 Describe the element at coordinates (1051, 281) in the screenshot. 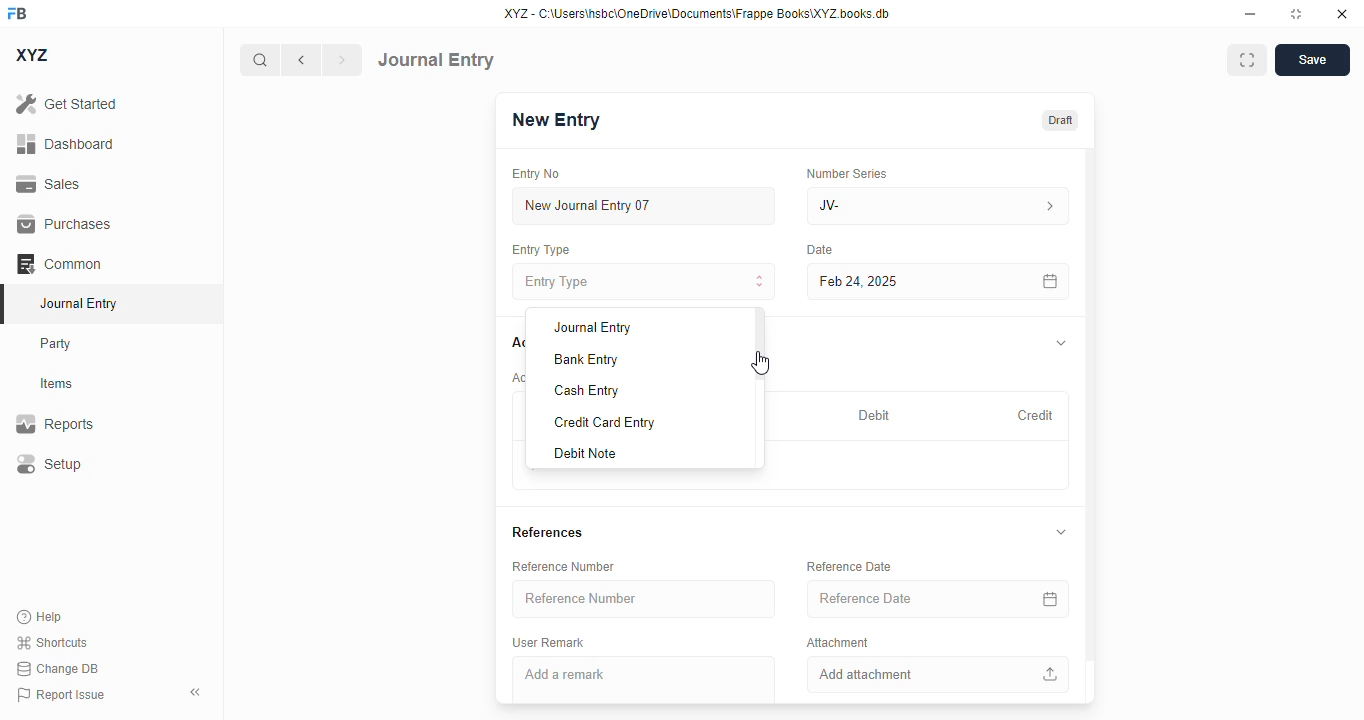

I see `calendar icon` at that location.